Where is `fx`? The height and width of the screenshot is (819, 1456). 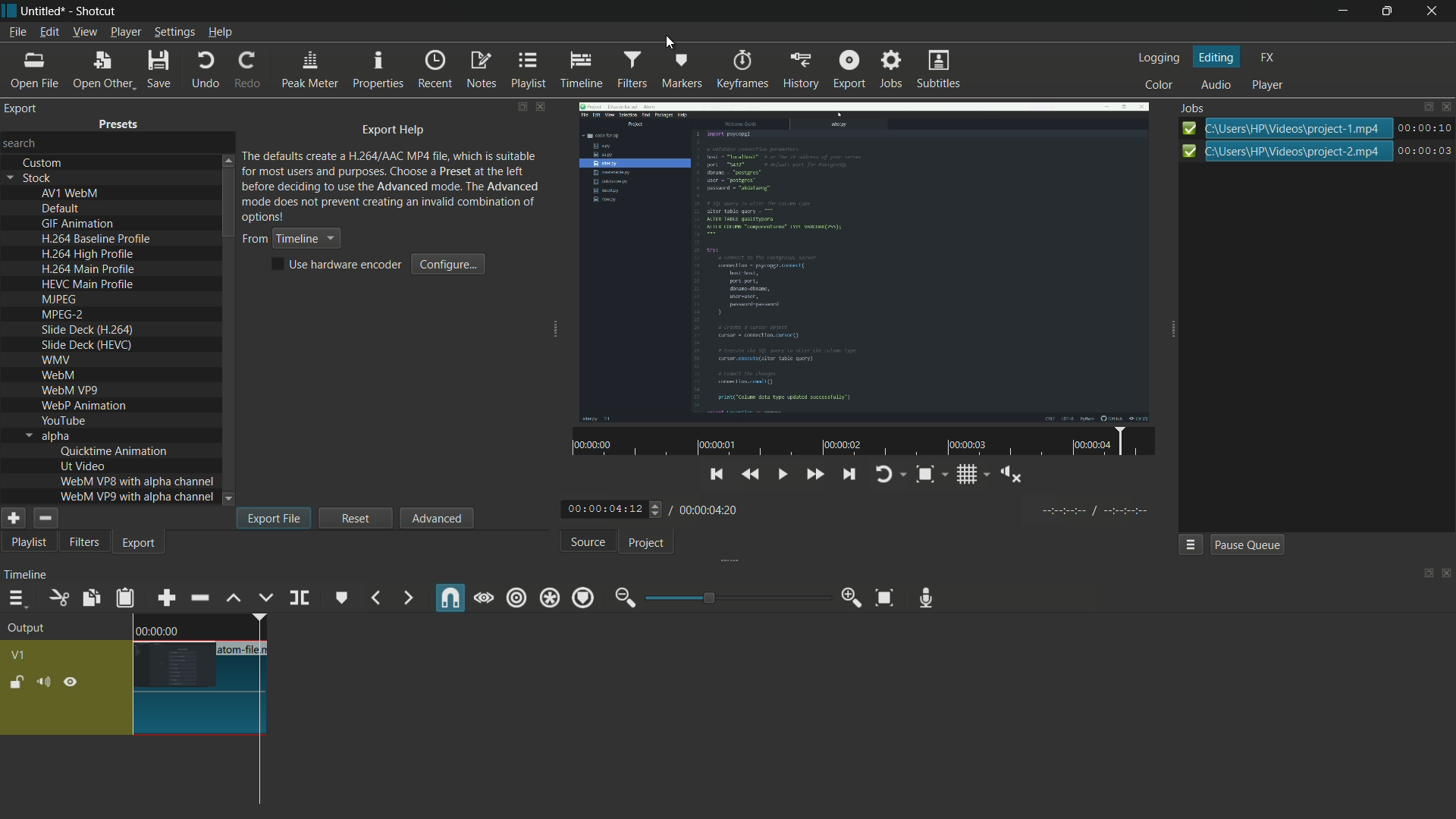 fx is located at coordinates (1268, 56).